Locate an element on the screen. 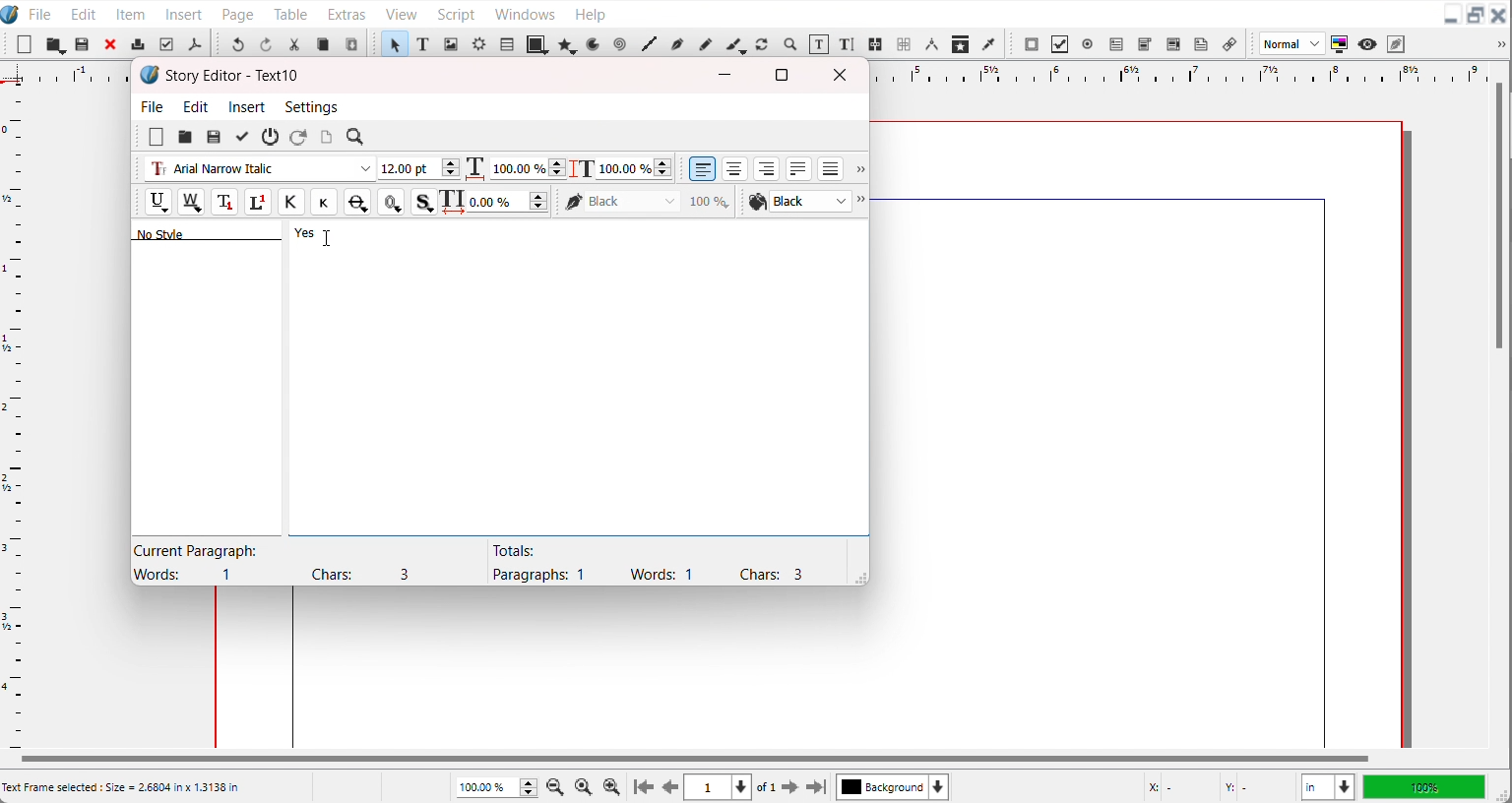 This screenshot has width=1512, height=803. Font size adjuster is located at coordinates (418, 168).